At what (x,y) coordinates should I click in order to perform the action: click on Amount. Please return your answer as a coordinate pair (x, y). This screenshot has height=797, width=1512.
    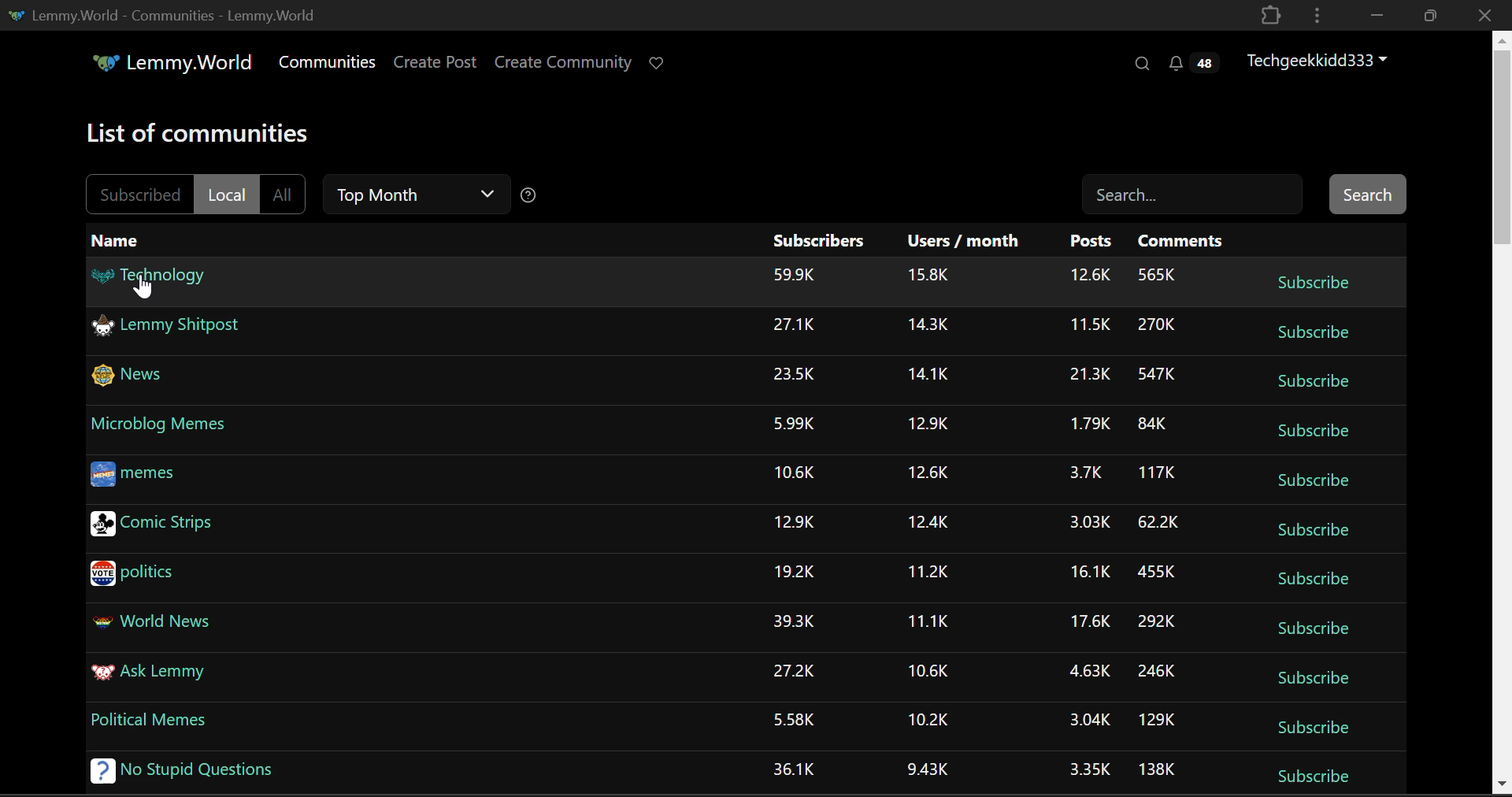
    Looking at the image, I should click on (1158, 721).